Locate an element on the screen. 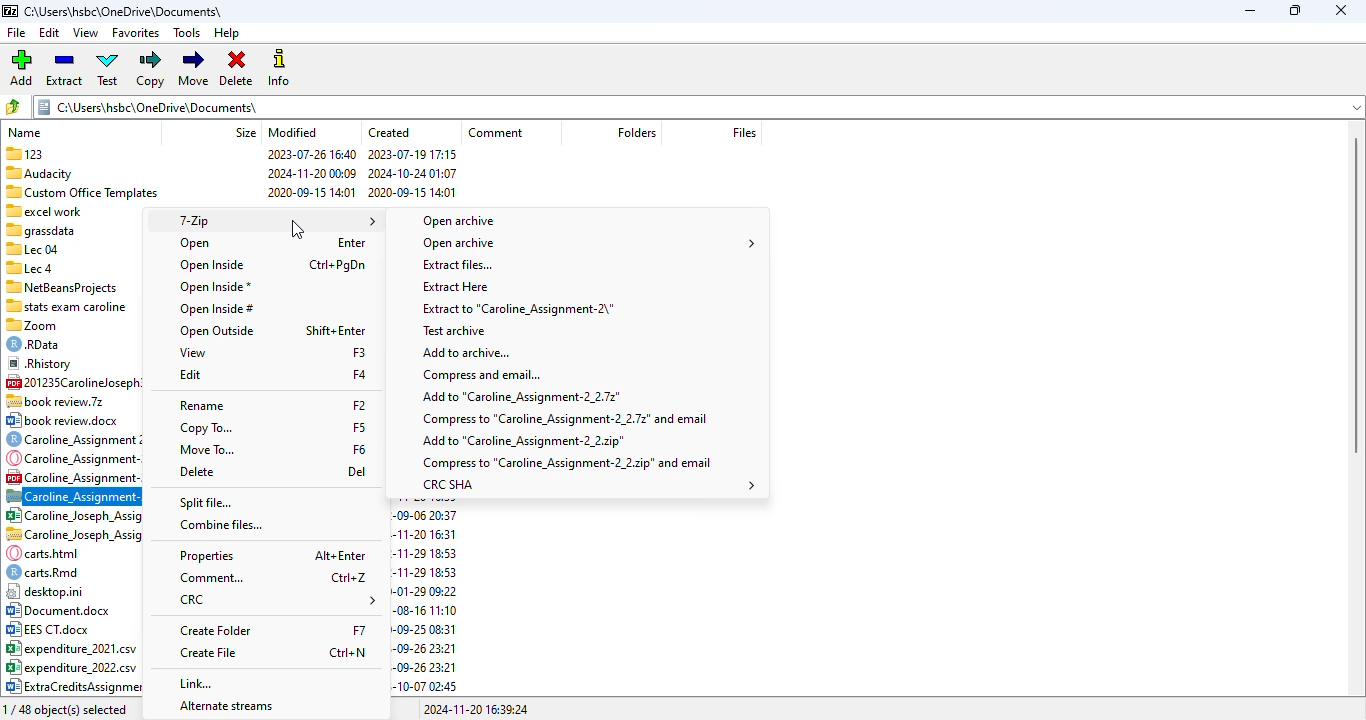  extract is located at coordinates (64, 68).